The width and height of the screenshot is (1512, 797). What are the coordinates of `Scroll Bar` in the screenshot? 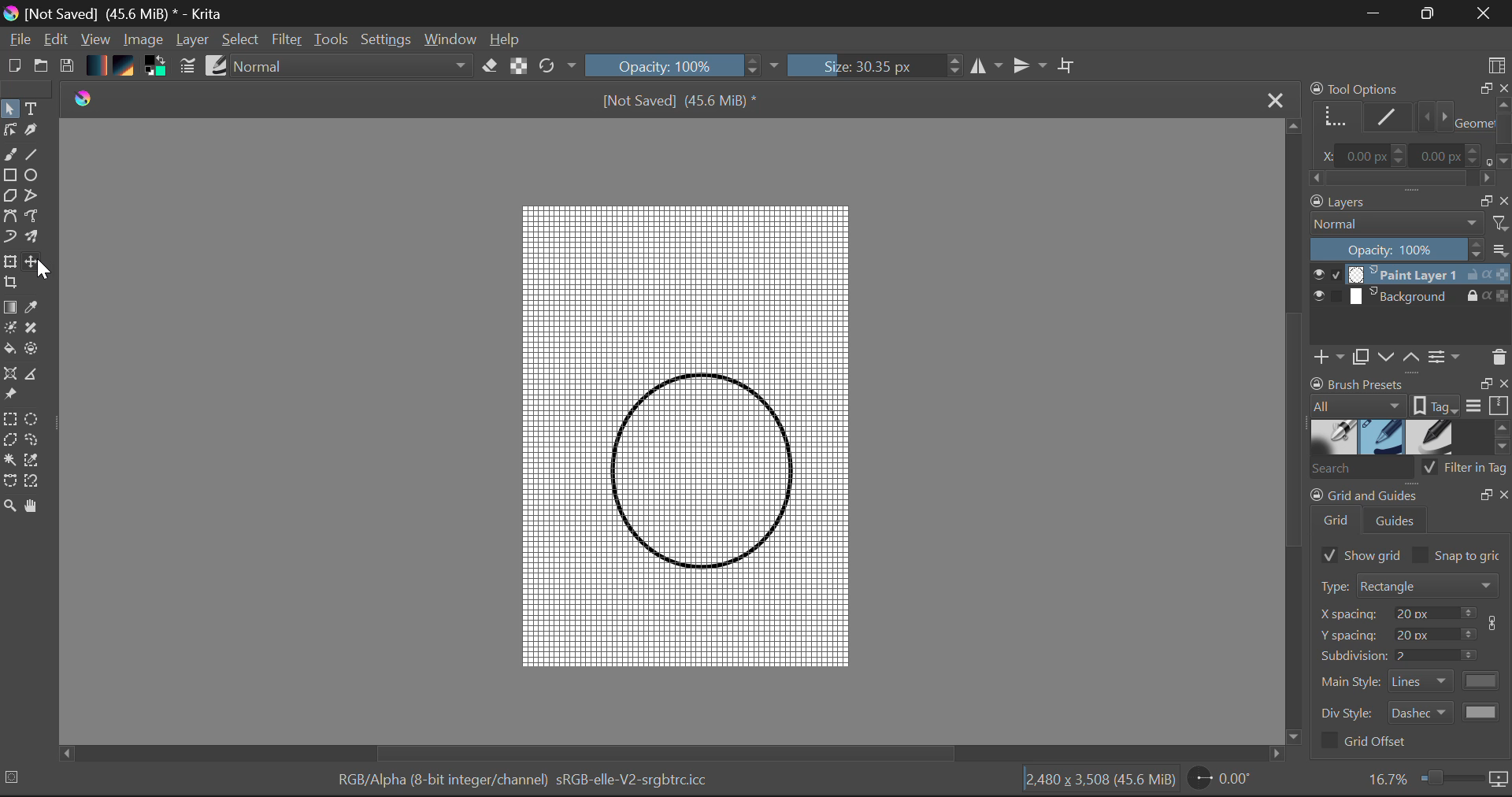 It's located at (674, 752).